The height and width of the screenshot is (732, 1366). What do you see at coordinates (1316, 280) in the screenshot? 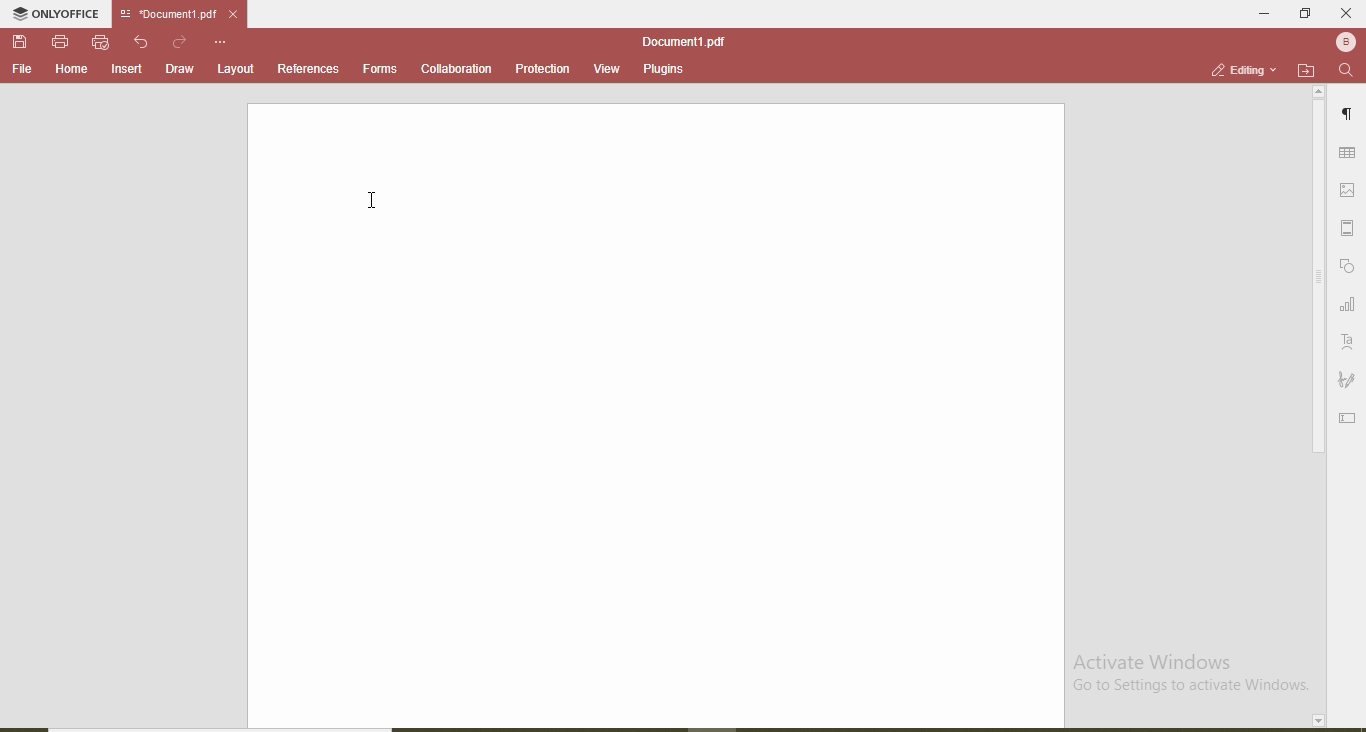
I see `vertical scroll bar` at bounding box center [1316, 280].